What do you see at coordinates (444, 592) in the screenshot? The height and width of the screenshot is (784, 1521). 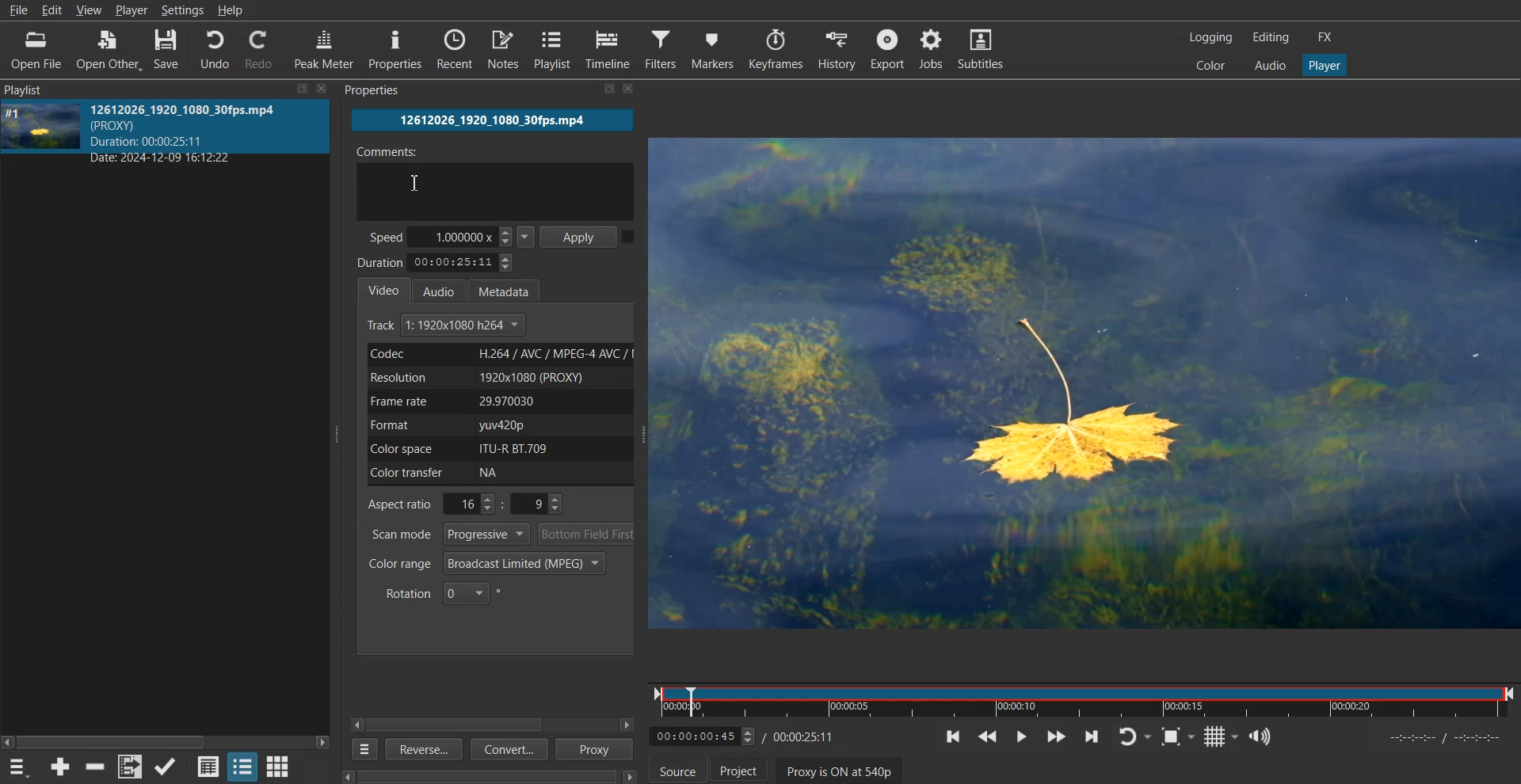 I see `Rotation` at bounding box center [444, 592].